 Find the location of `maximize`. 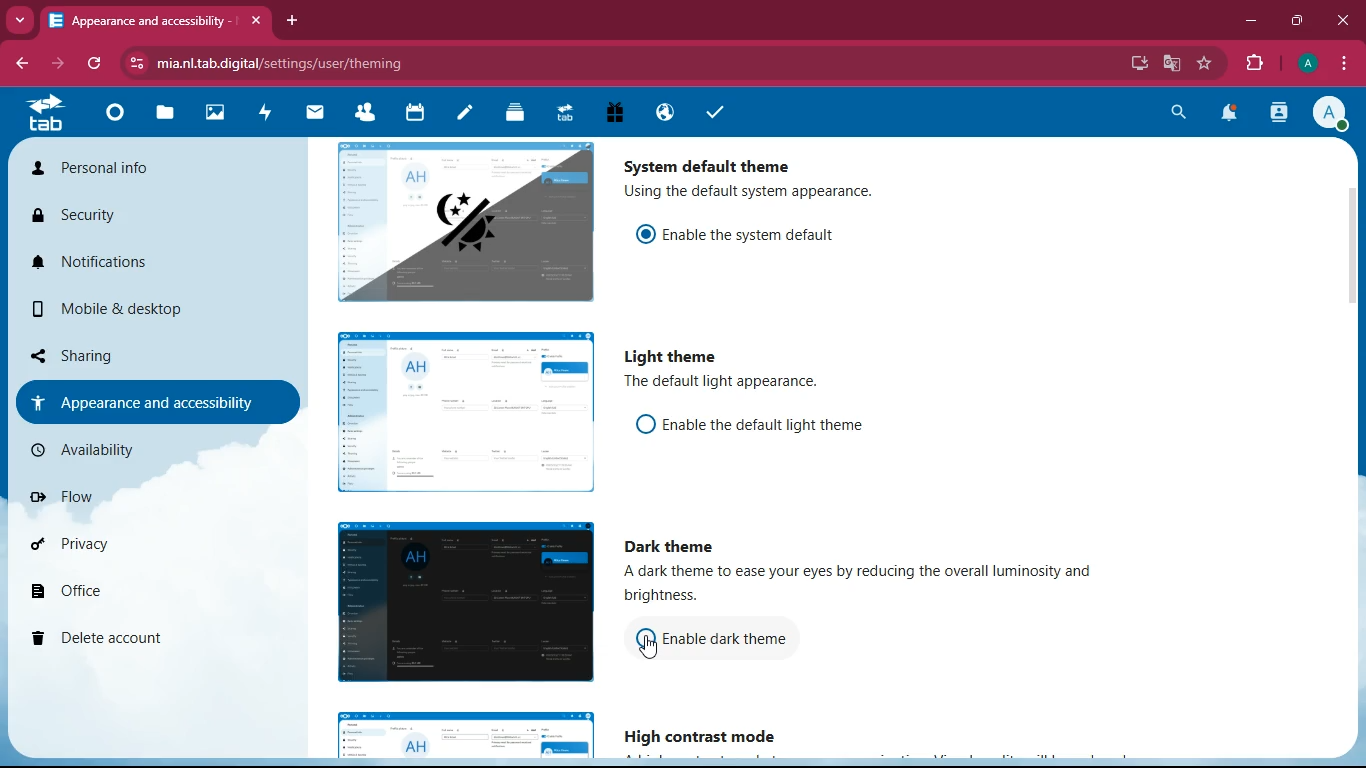

maximize is located at coordinates (1299, 21).